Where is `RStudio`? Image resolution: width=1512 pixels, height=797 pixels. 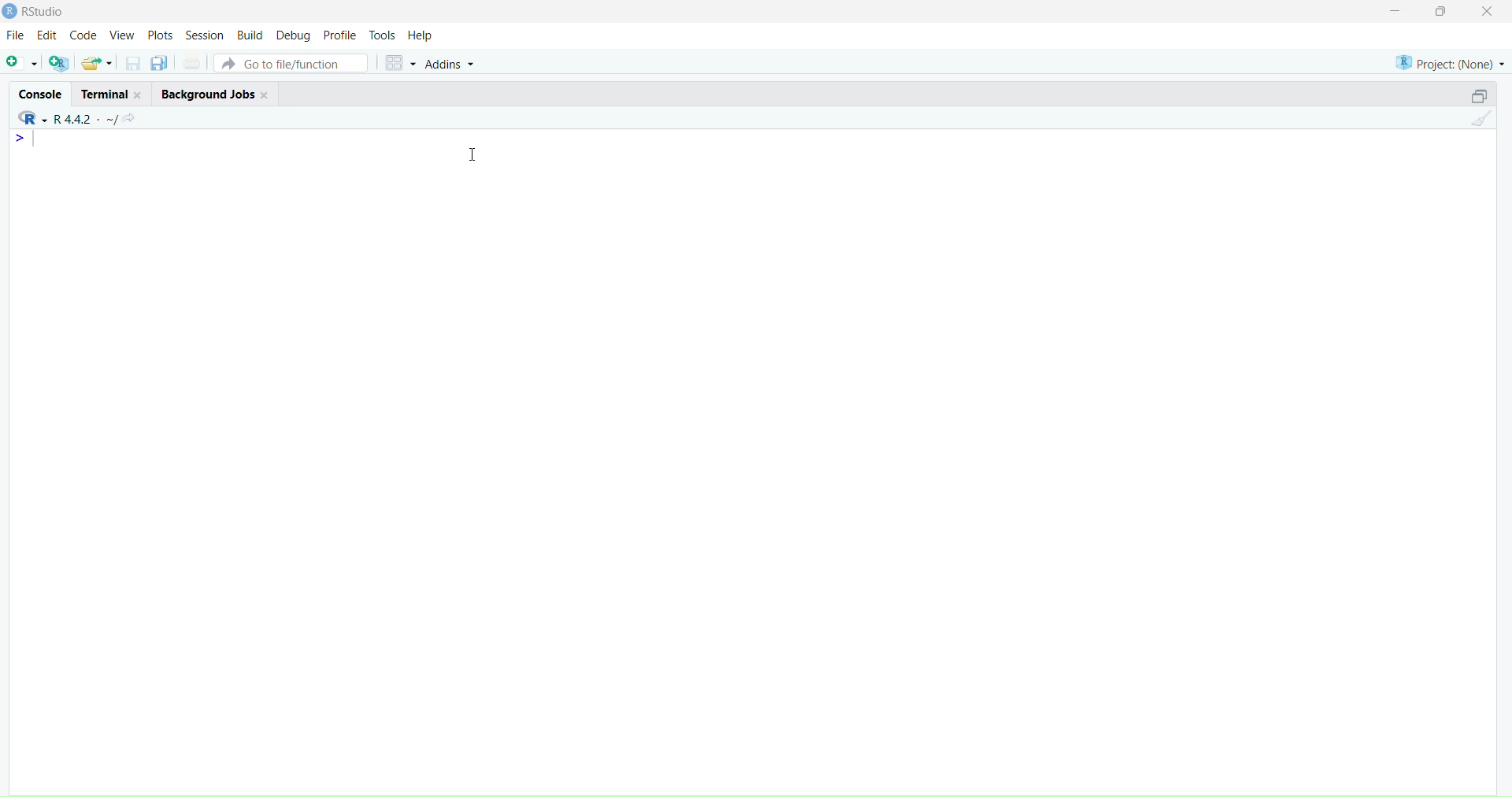
RStudio is located at coordinates (45, 11).